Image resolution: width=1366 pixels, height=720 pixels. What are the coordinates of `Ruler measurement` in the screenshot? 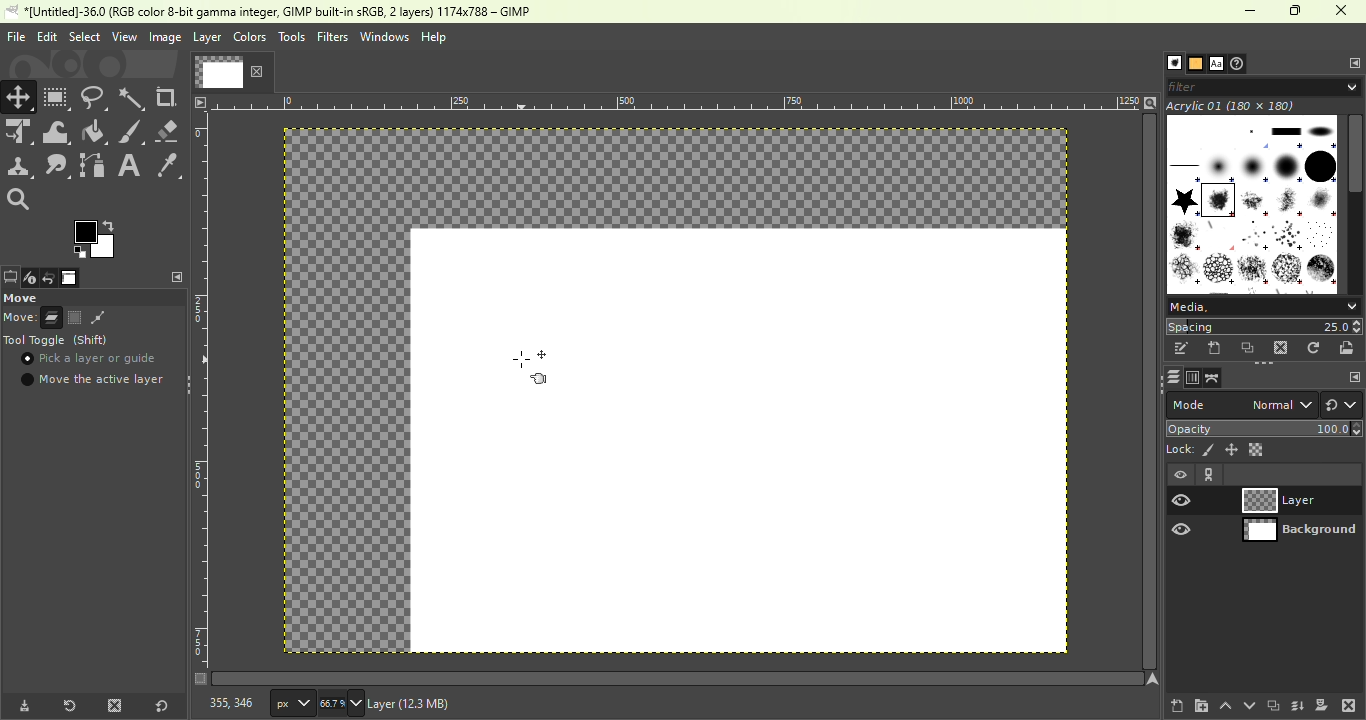 It's located at (677, 101).